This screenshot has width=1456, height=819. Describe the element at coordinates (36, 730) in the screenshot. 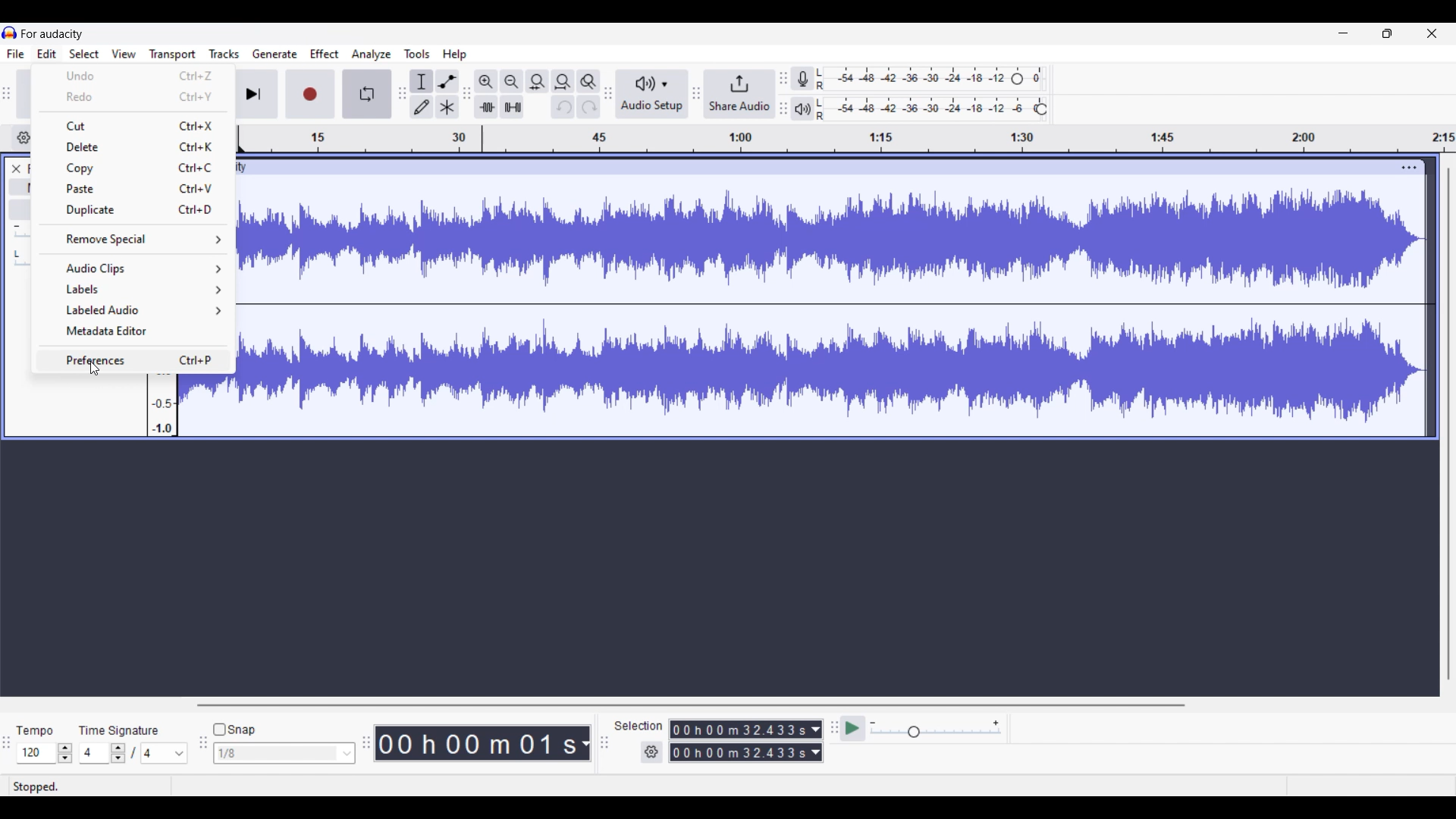

I see `Indicates Tempo settings` at that location.